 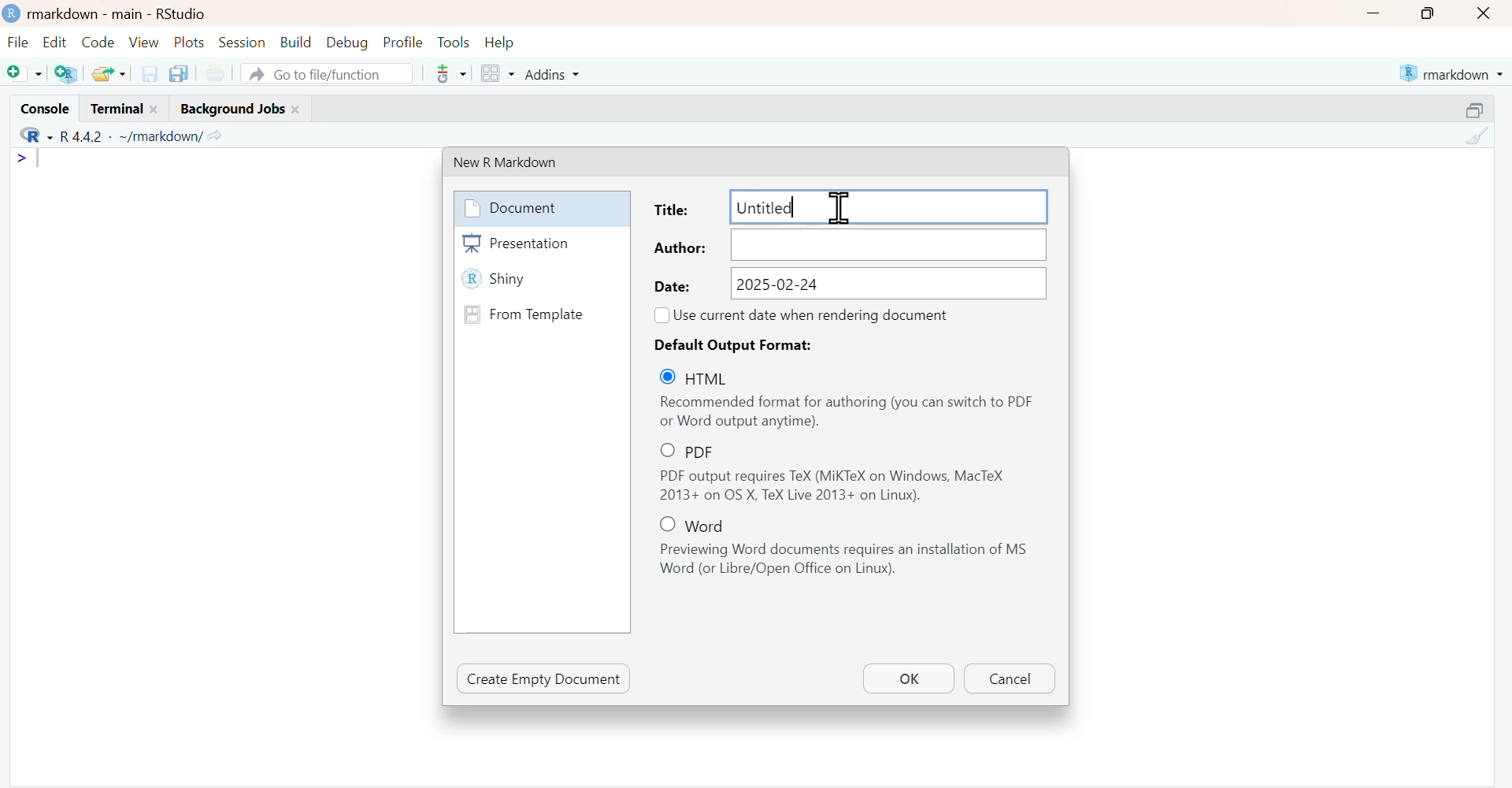 What do you see at coordinates (402, 43) in the screenshot?
I see `Profile` at bounding box center [402, 43].